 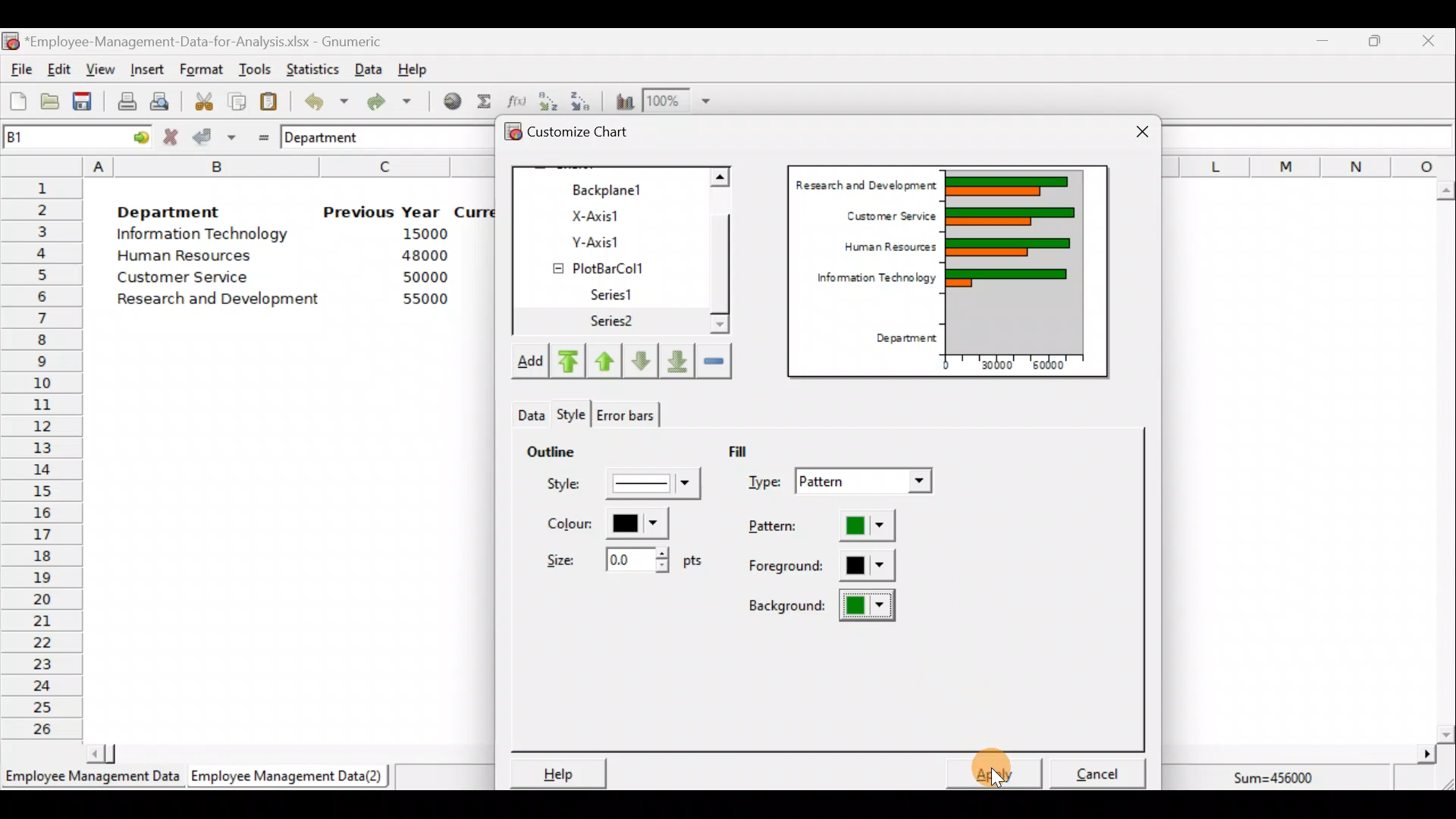 What do you see at coordinates (168, 208) in the screenshot?
I see `Department` at bounding box center [168, 208].